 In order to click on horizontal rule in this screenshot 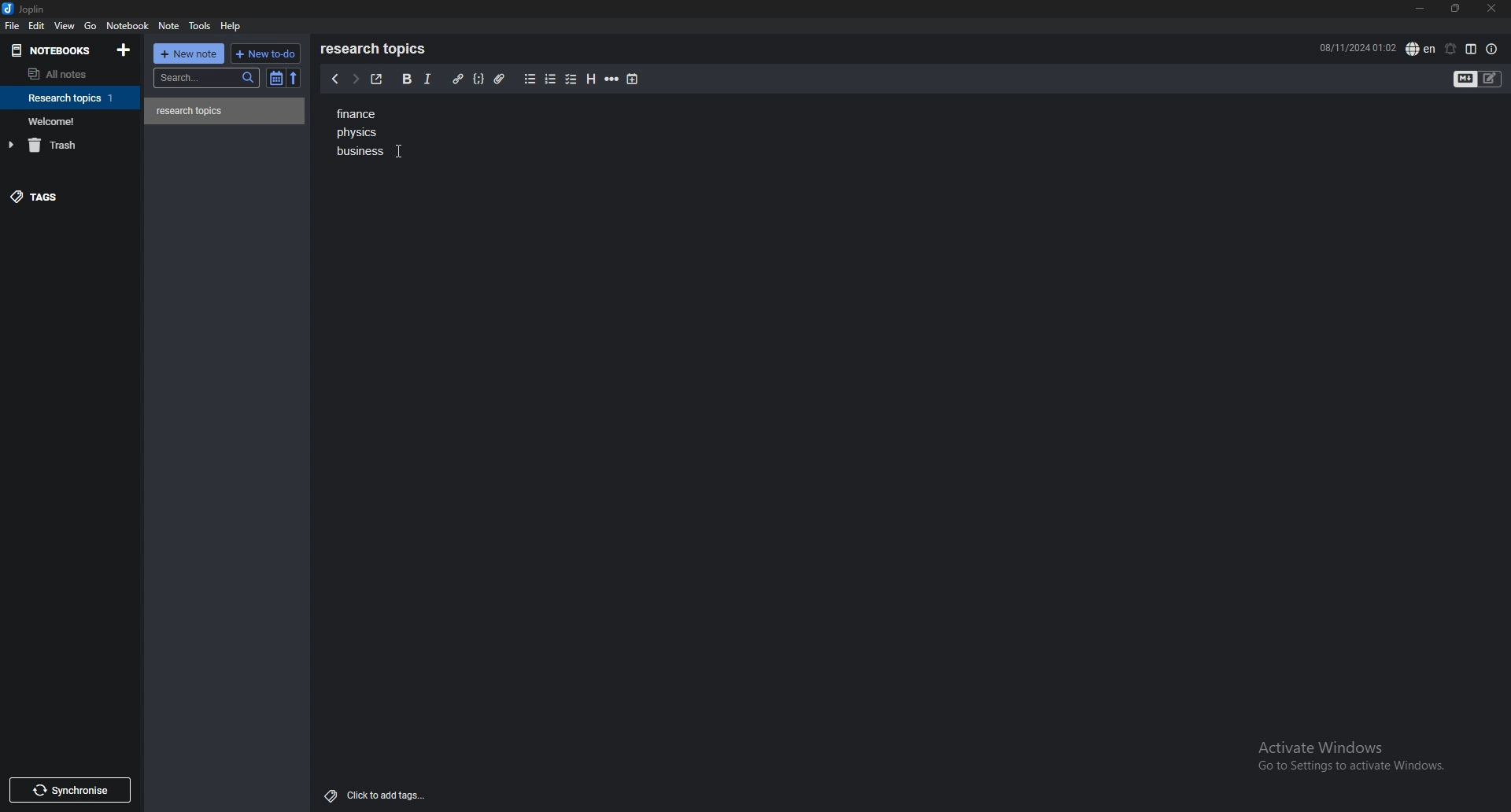, I will do `click(613, 79)`.